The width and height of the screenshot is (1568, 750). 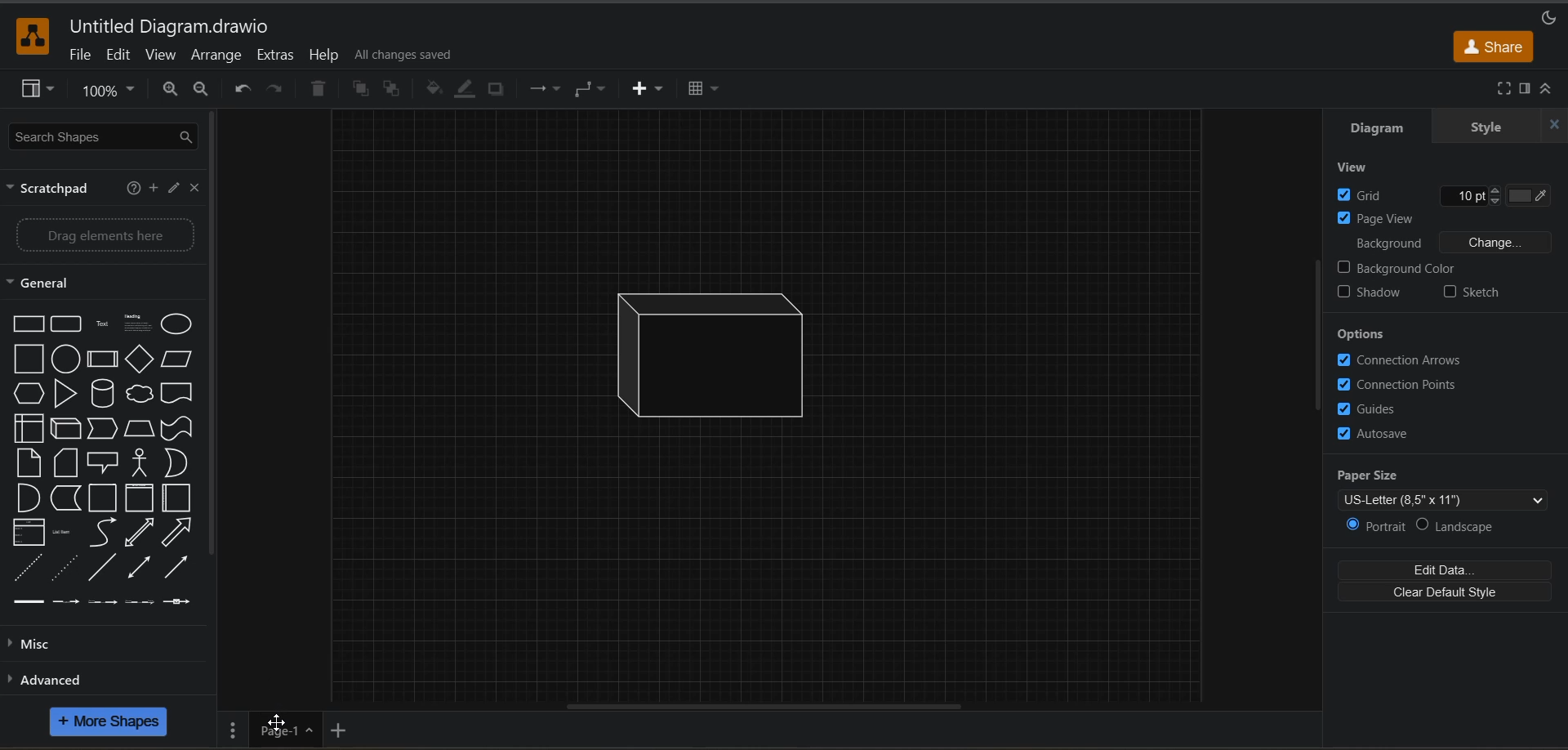 I want to click on fill color, so click(x=430, y=89).